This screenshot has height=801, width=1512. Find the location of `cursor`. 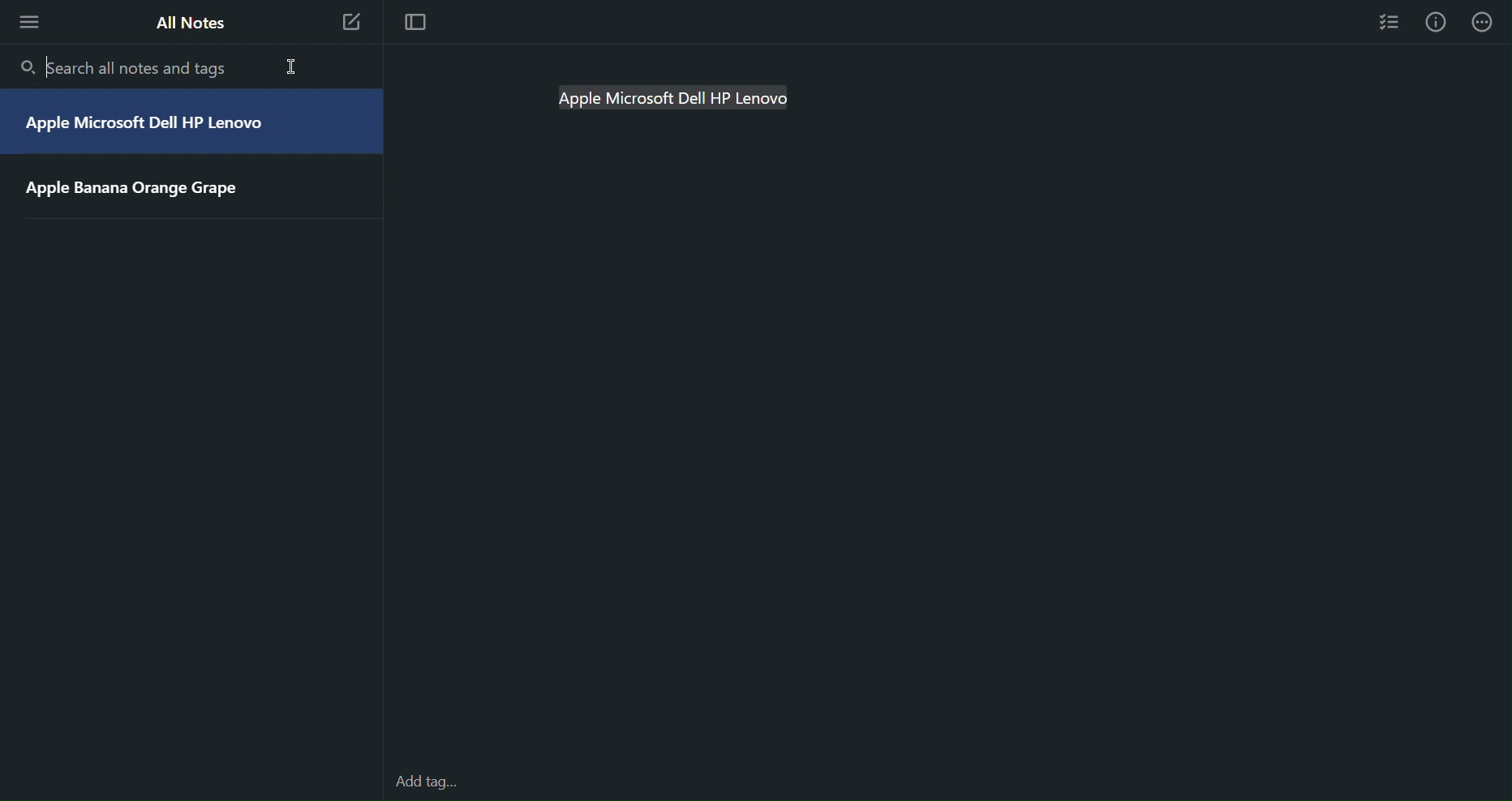

cursor is located at coordinates (294, 65).